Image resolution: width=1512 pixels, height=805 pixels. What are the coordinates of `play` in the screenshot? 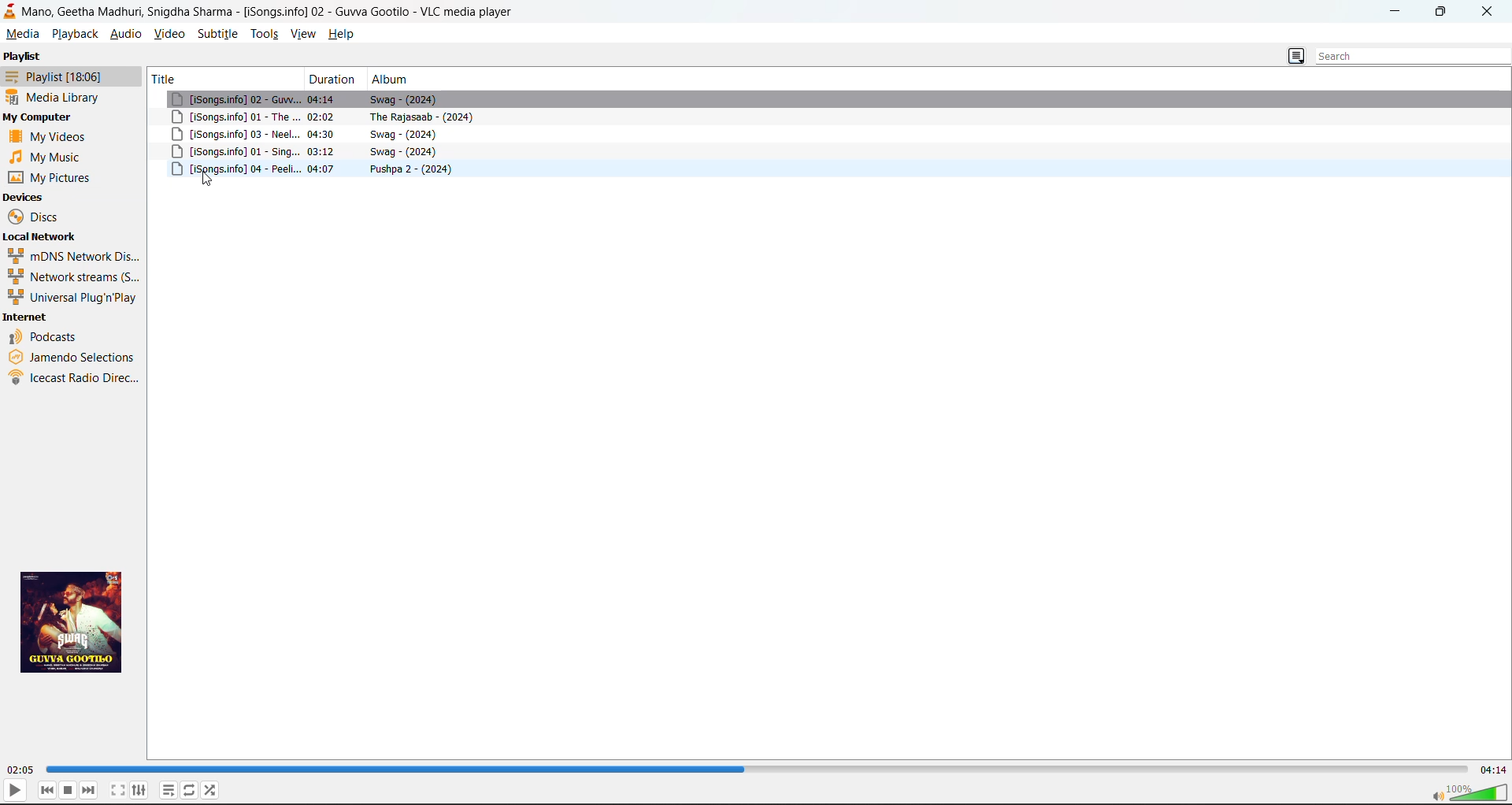 It's located at (15, 789).